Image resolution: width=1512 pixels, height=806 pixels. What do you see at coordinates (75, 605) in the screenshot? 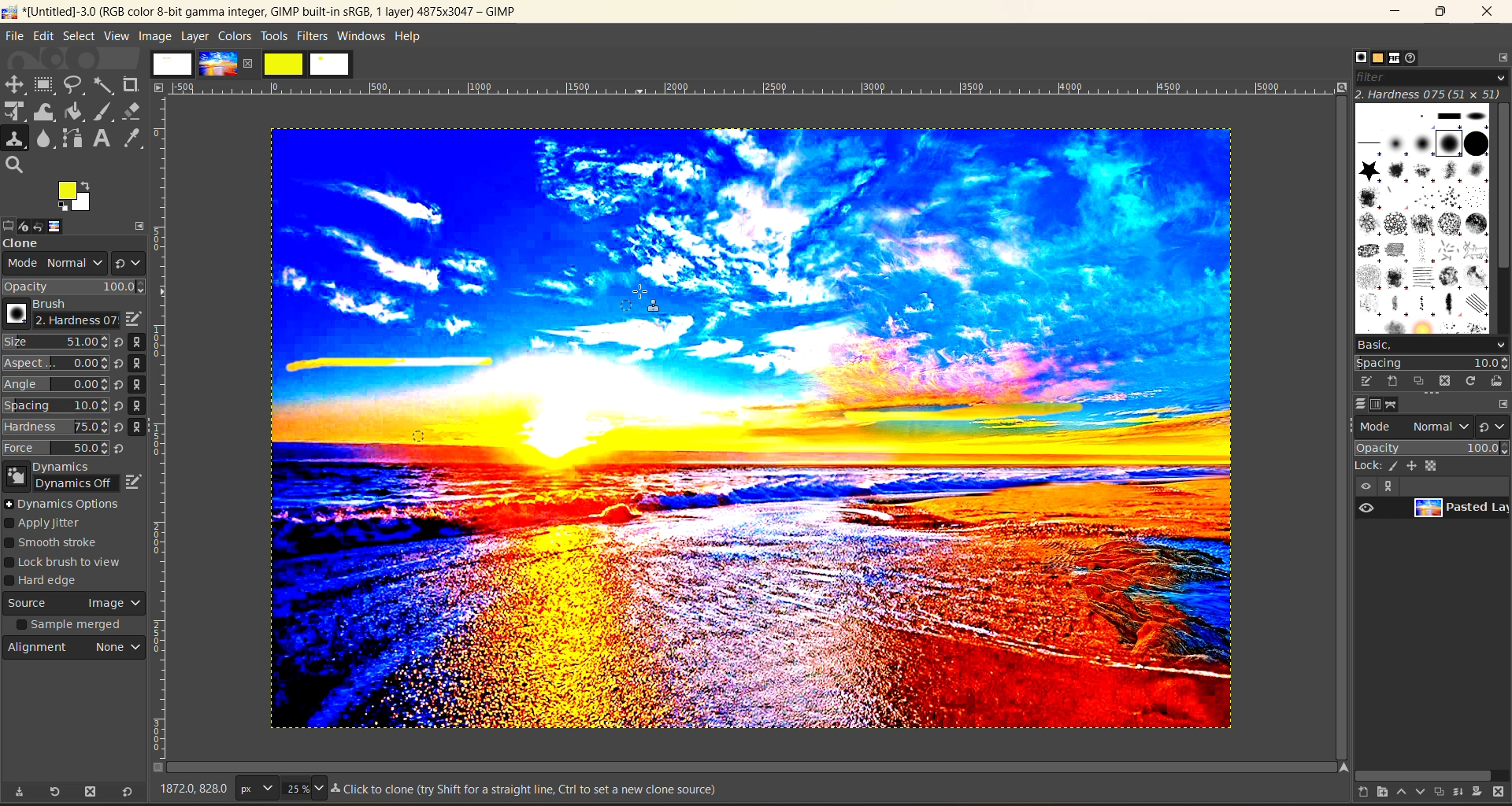
I see `source` at bounding box center [75, 605].